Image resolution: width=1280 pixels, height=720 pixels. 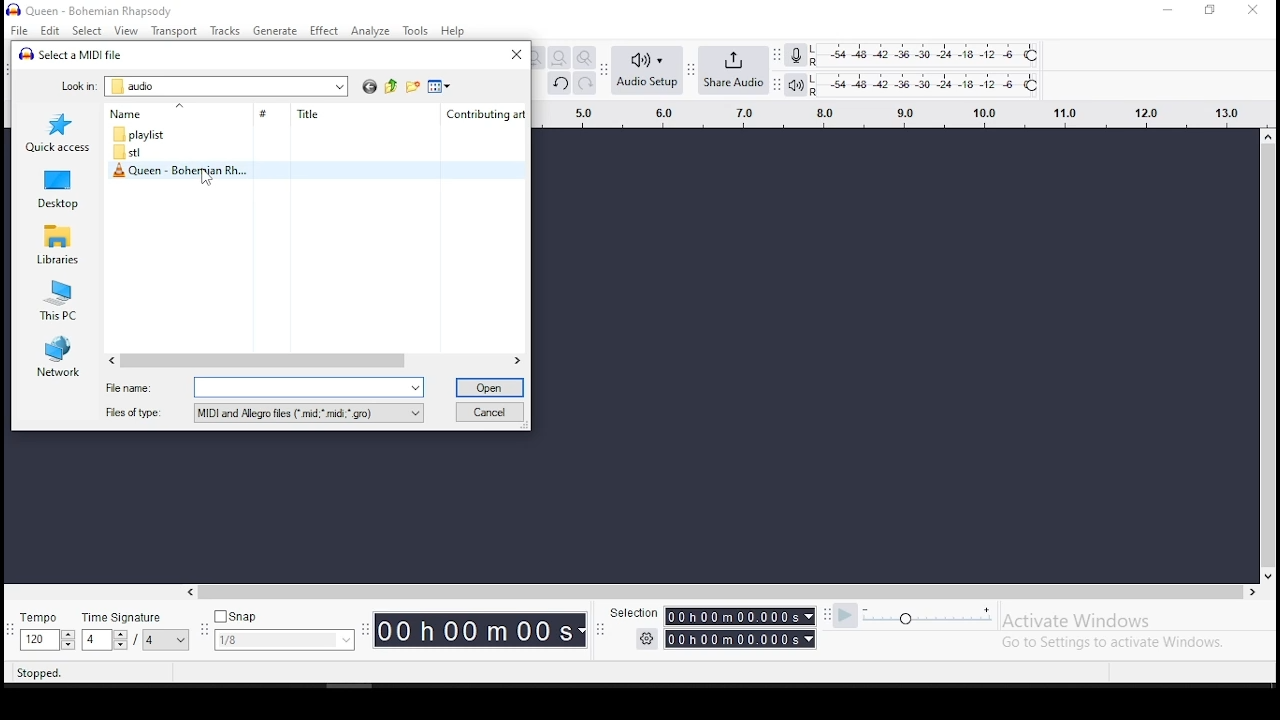 I want to click on tracks, so click(x=225, y=31).